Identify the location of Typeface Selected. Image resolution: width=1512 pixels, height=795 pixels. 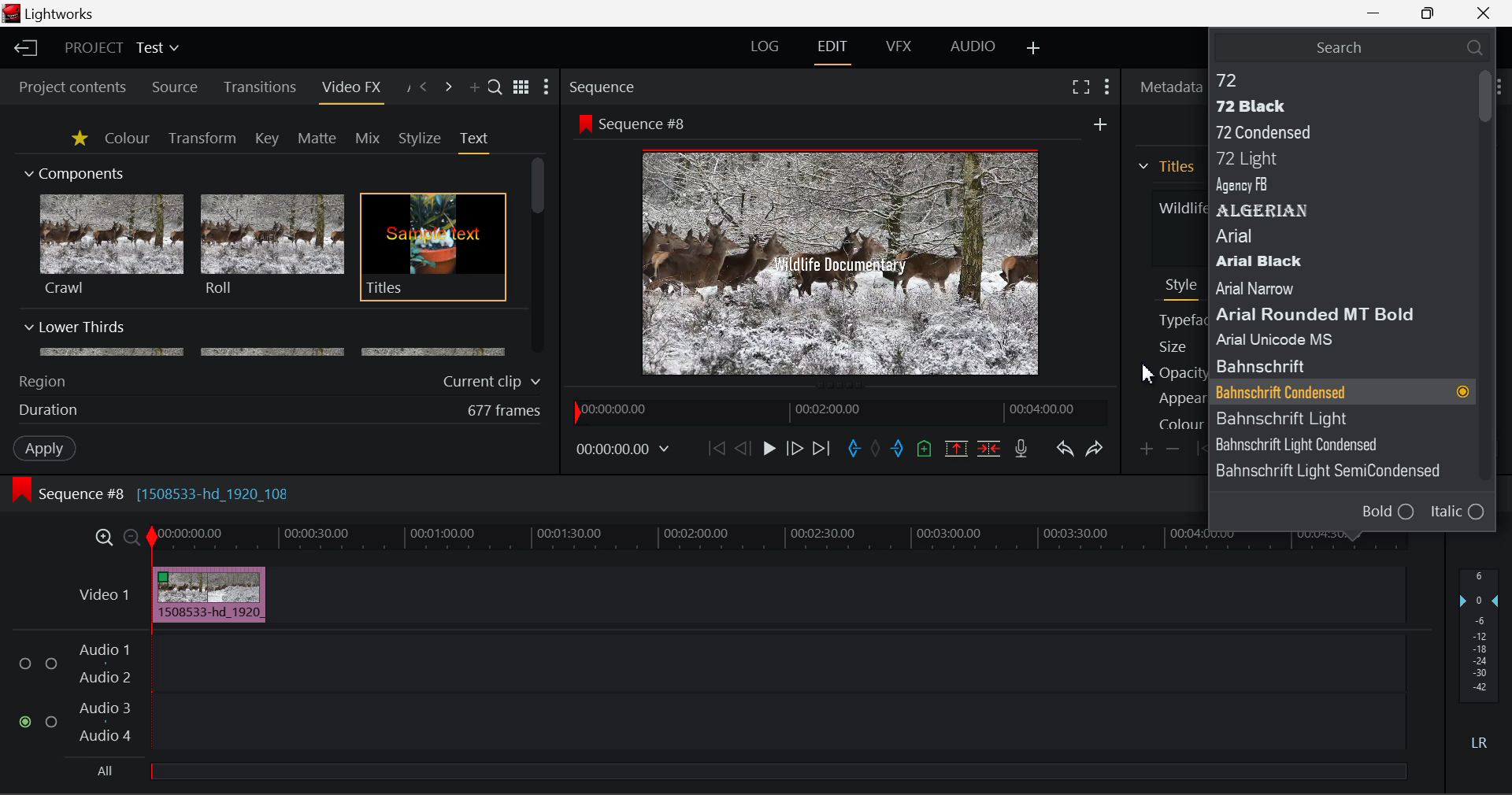
(1345, 392).